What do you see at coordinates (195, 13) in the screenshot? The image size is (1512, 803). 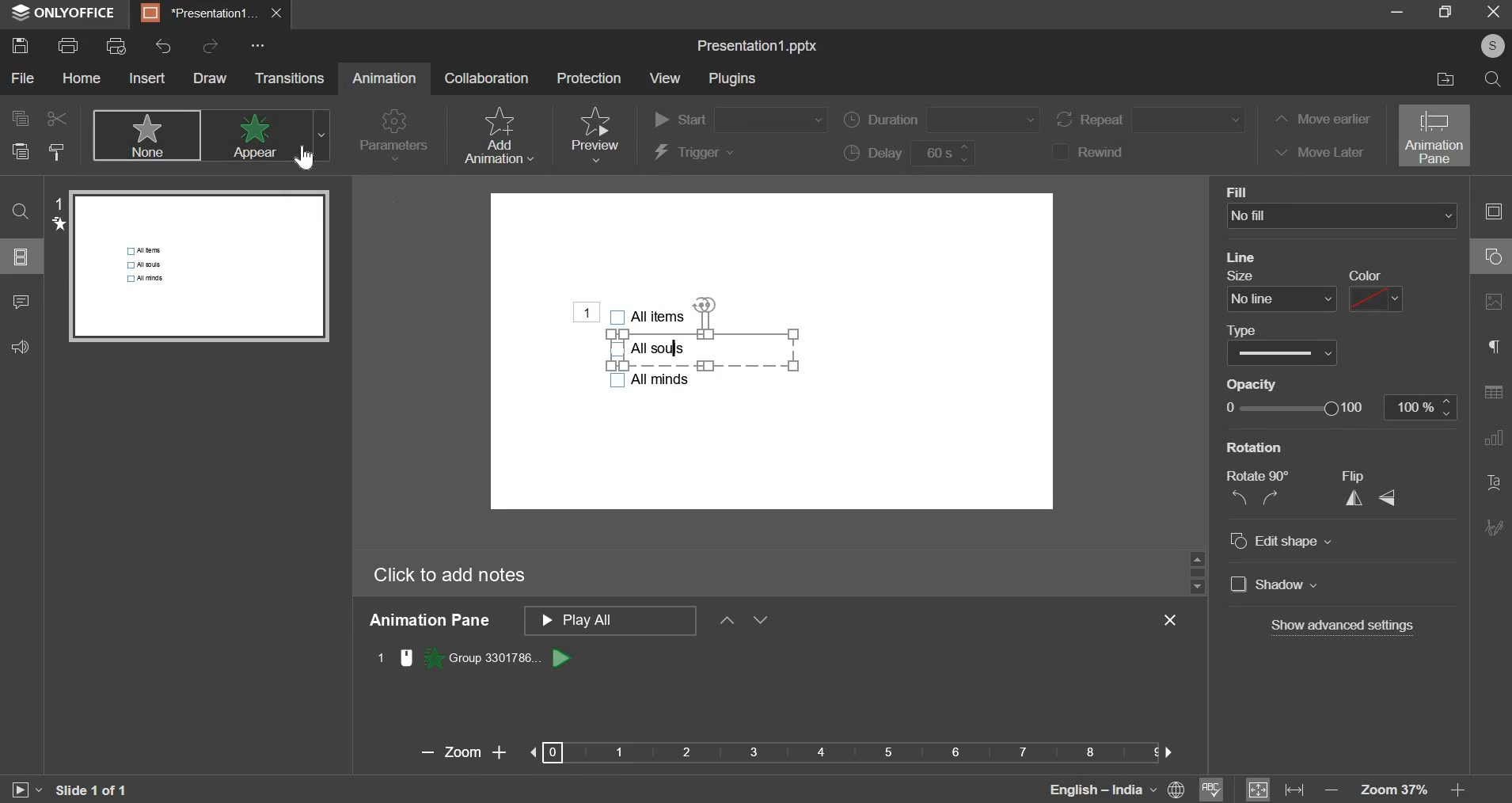 I see `presentation1` at bounding box center [195, 13].